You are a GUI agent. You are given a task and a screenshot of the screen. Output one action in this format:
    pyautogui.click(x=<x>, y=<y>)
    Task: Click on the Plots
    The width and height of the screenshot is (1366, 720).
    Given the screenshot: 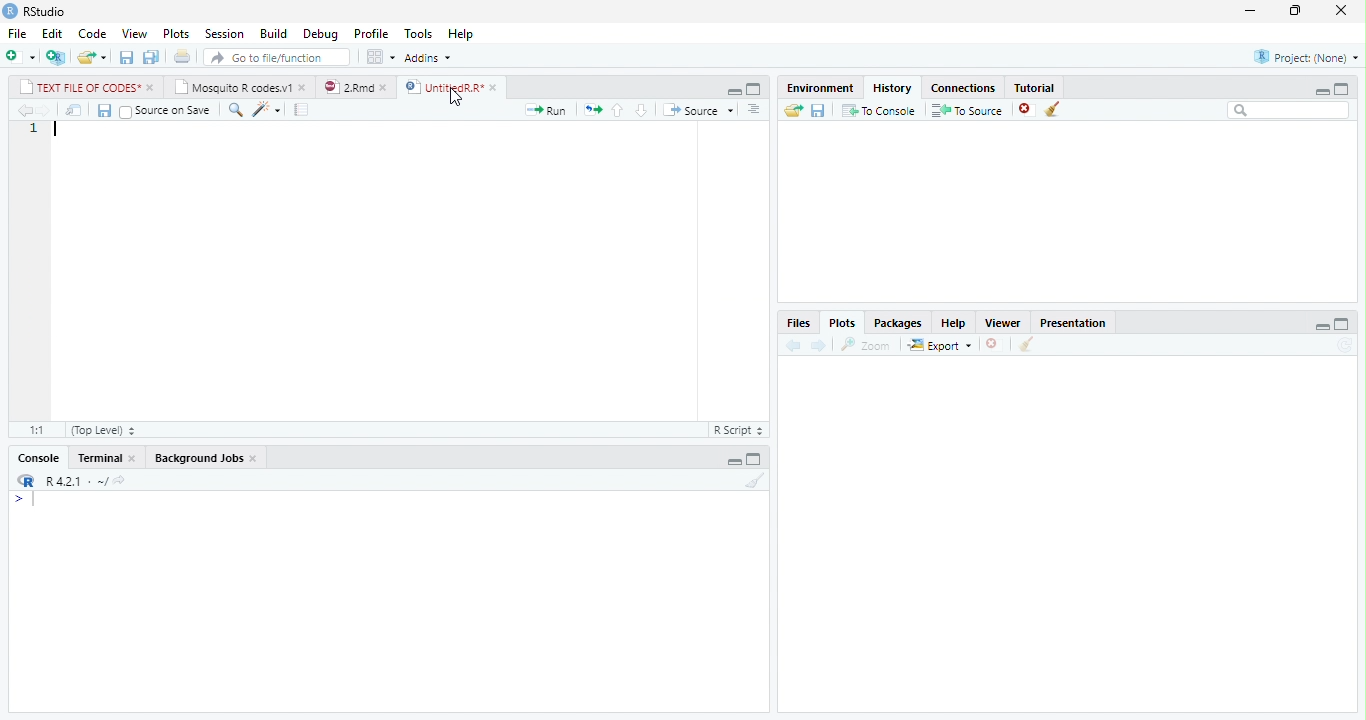 What is the action you would take?
    pyautogui.click(x=175, y=34)
    